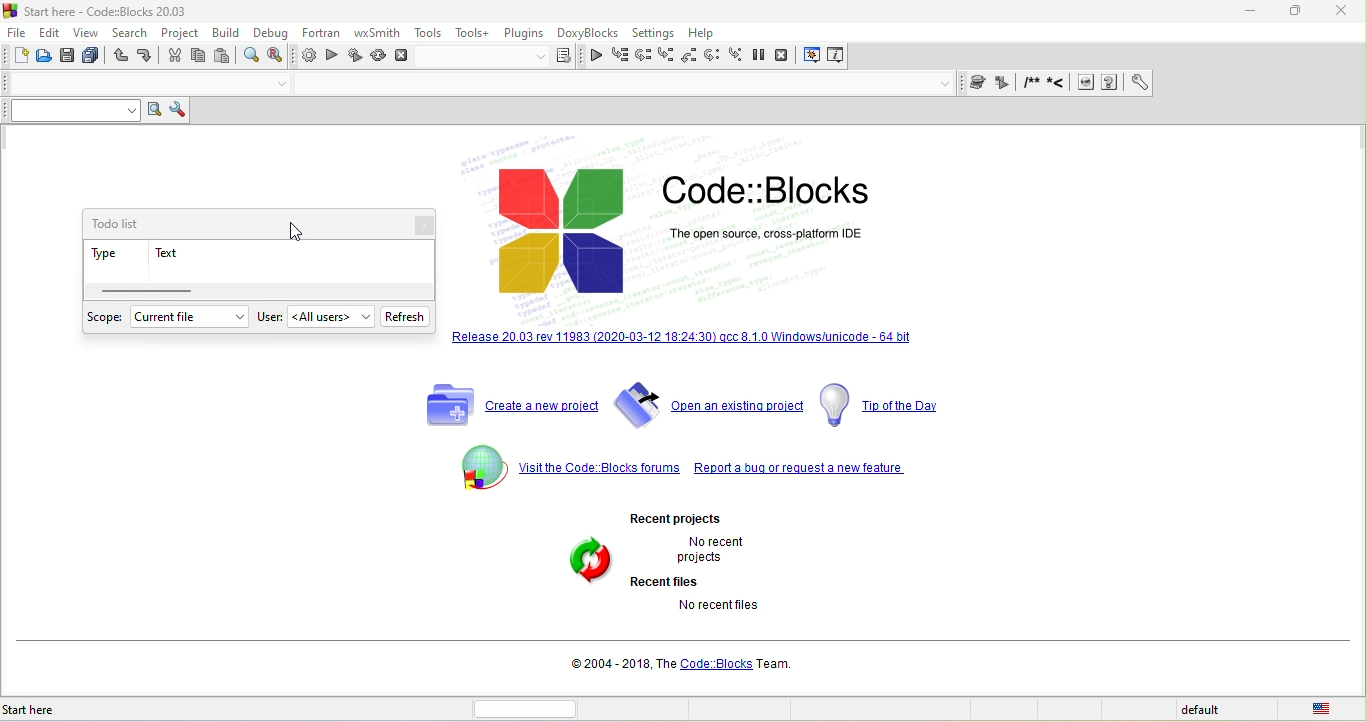 The width and height of the screenshot is (1366, 722). What do you see at coordinates (1088, 84) in the screenshot?
I see `run html` at bounding box center [1088, 84].